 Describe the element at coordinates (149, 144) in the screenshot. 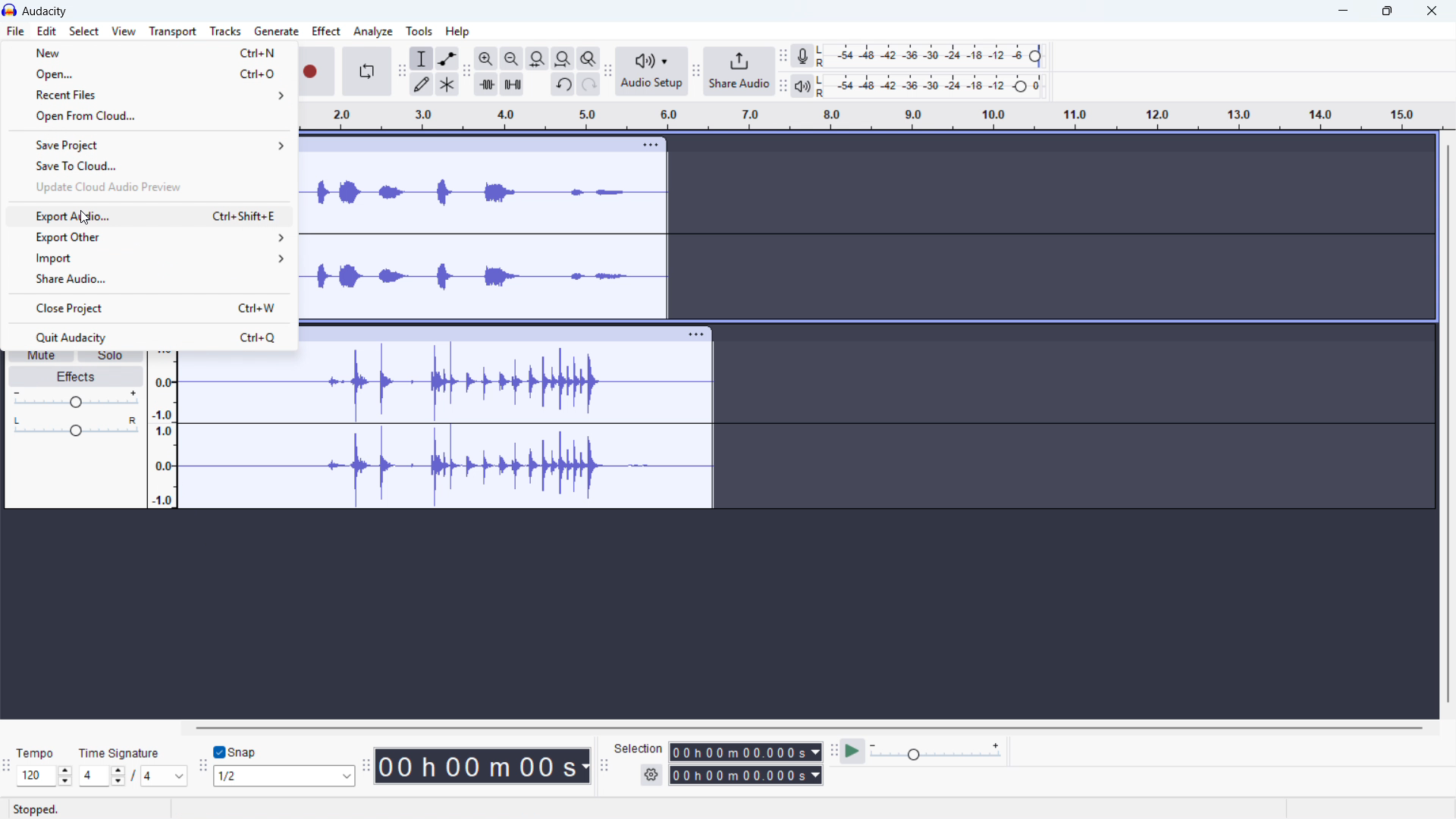

I see `Save project ` at that location.